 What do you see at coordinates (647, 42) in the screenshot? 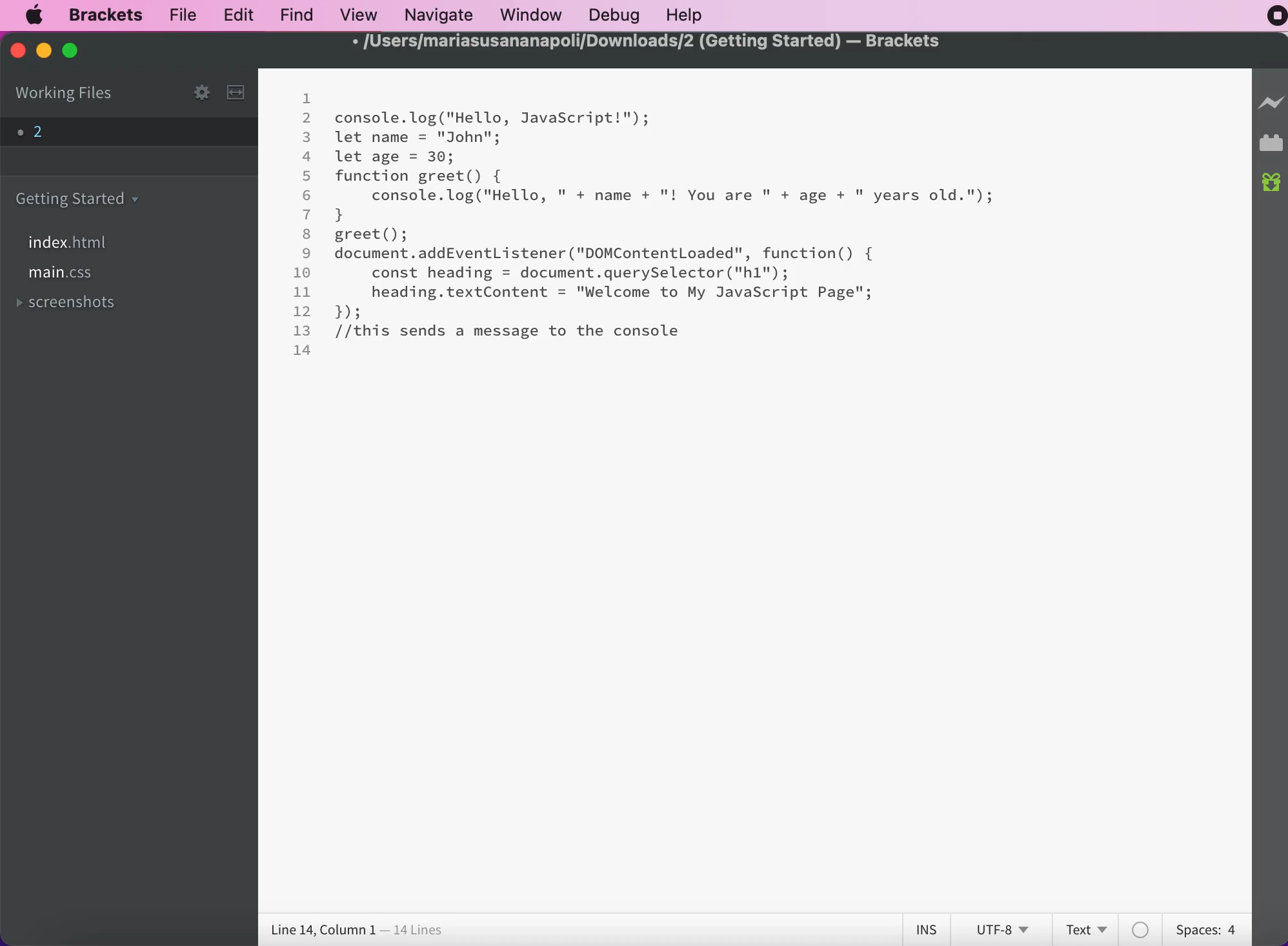
I see `/Users/mariasusananapoli/Downloads/2 (Getting Started) — Brackets` at bounding box center [647, 42].